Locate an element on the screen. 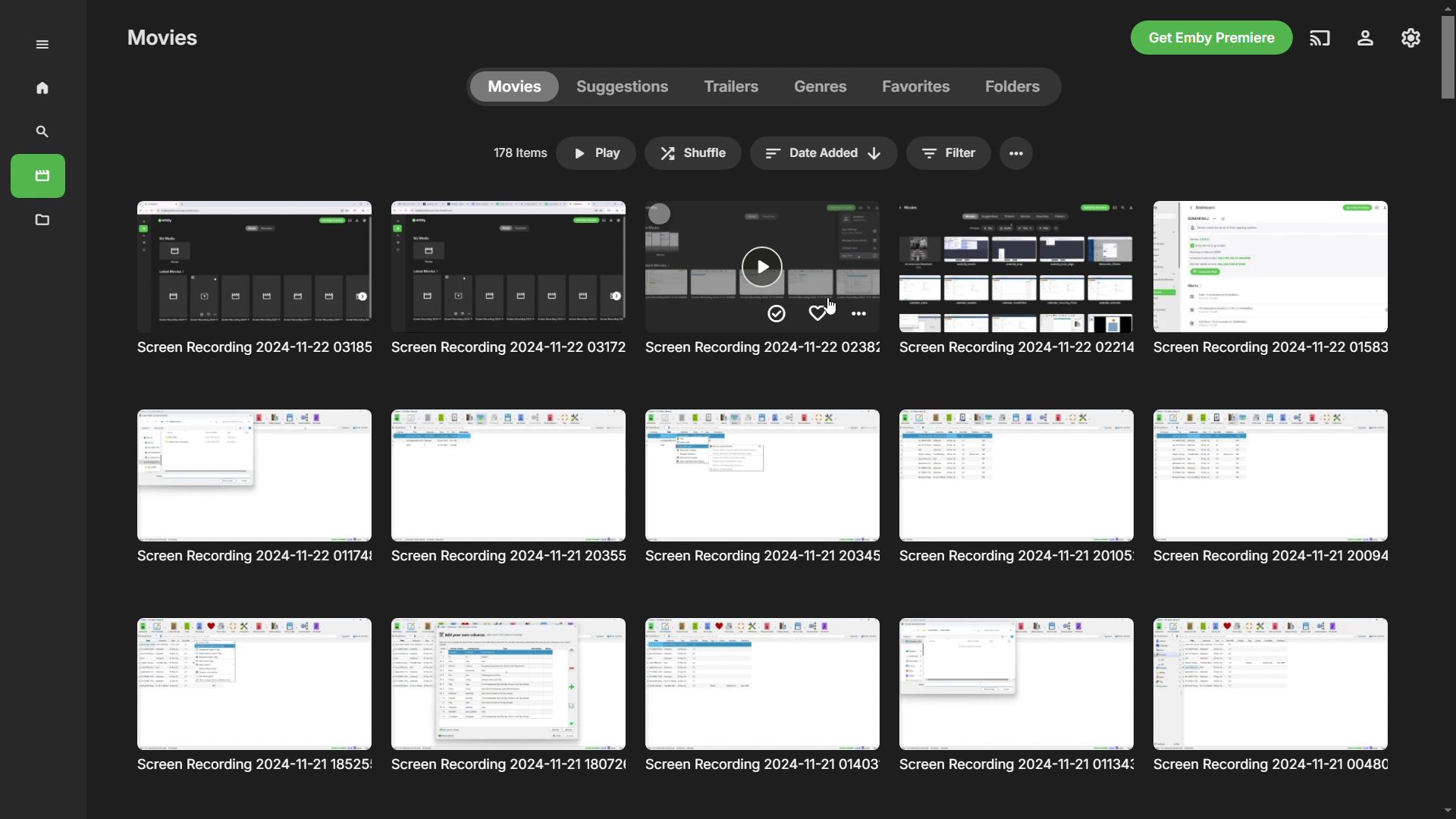  play on another device is located at coordinates (1319, 39).